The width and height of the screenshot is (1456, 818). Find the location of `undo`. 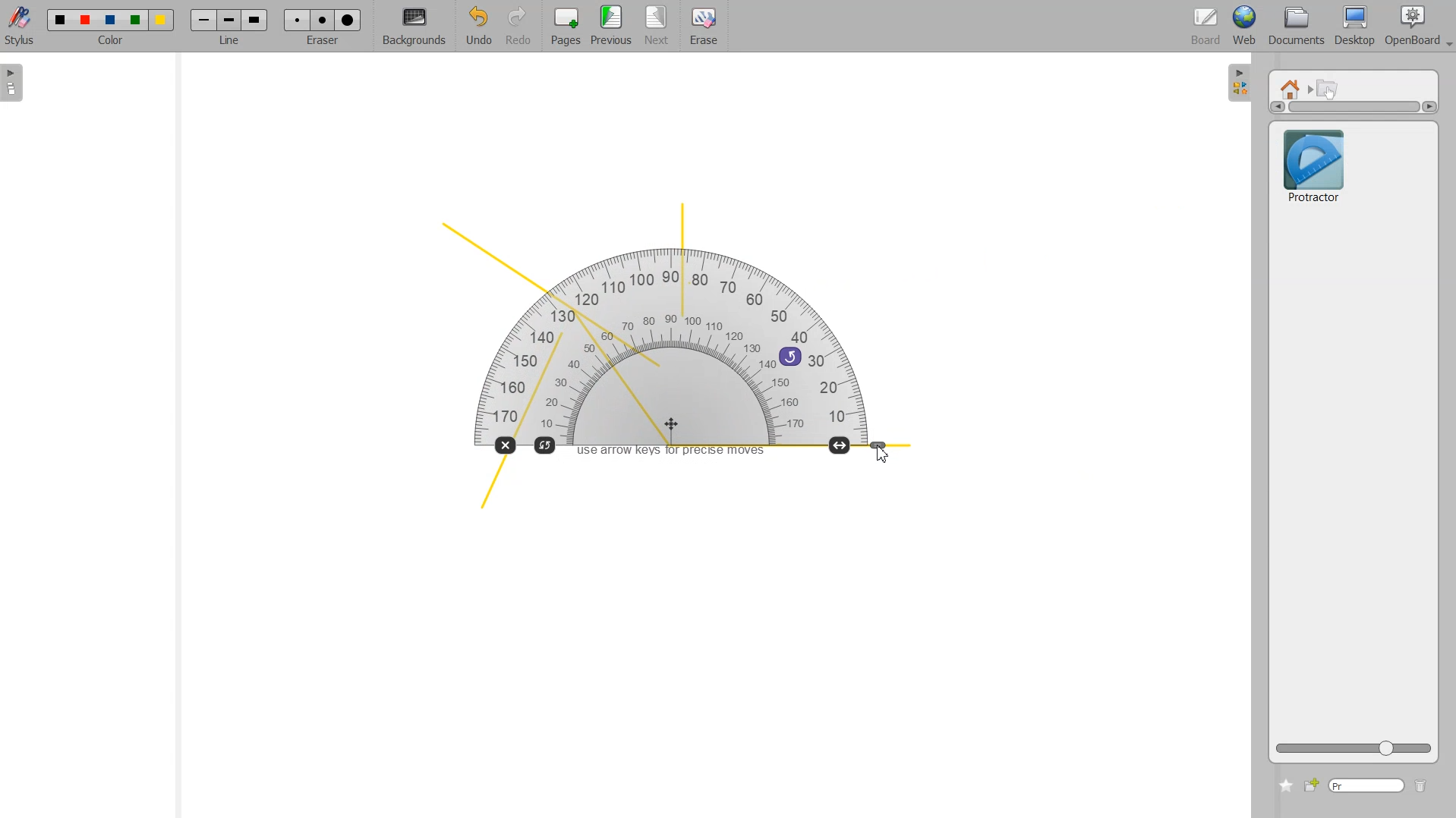

undo is located at coordinates (790, 355).